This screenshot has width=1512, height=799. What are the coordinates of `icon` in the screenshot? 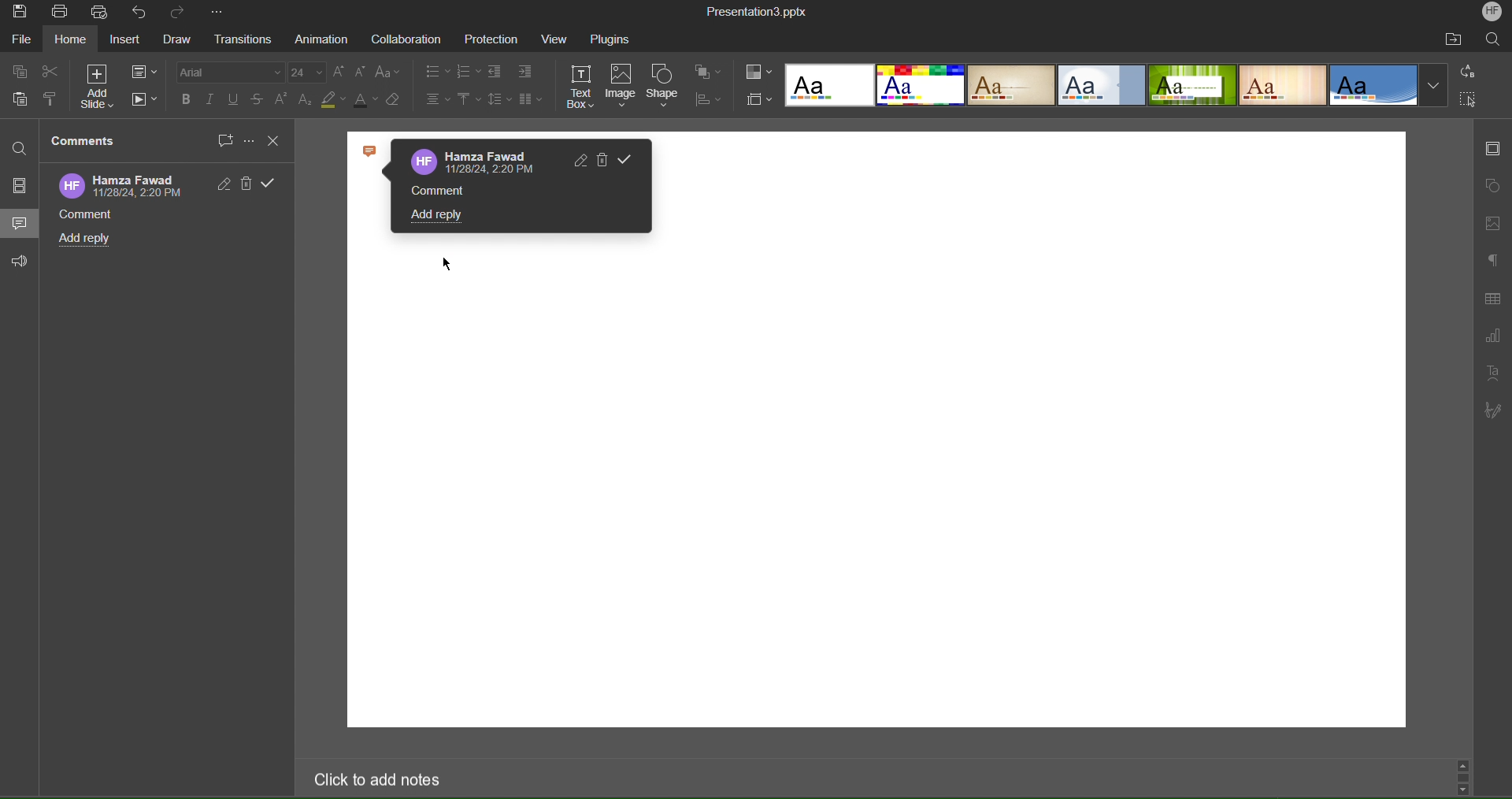 It's located at (370, 151).